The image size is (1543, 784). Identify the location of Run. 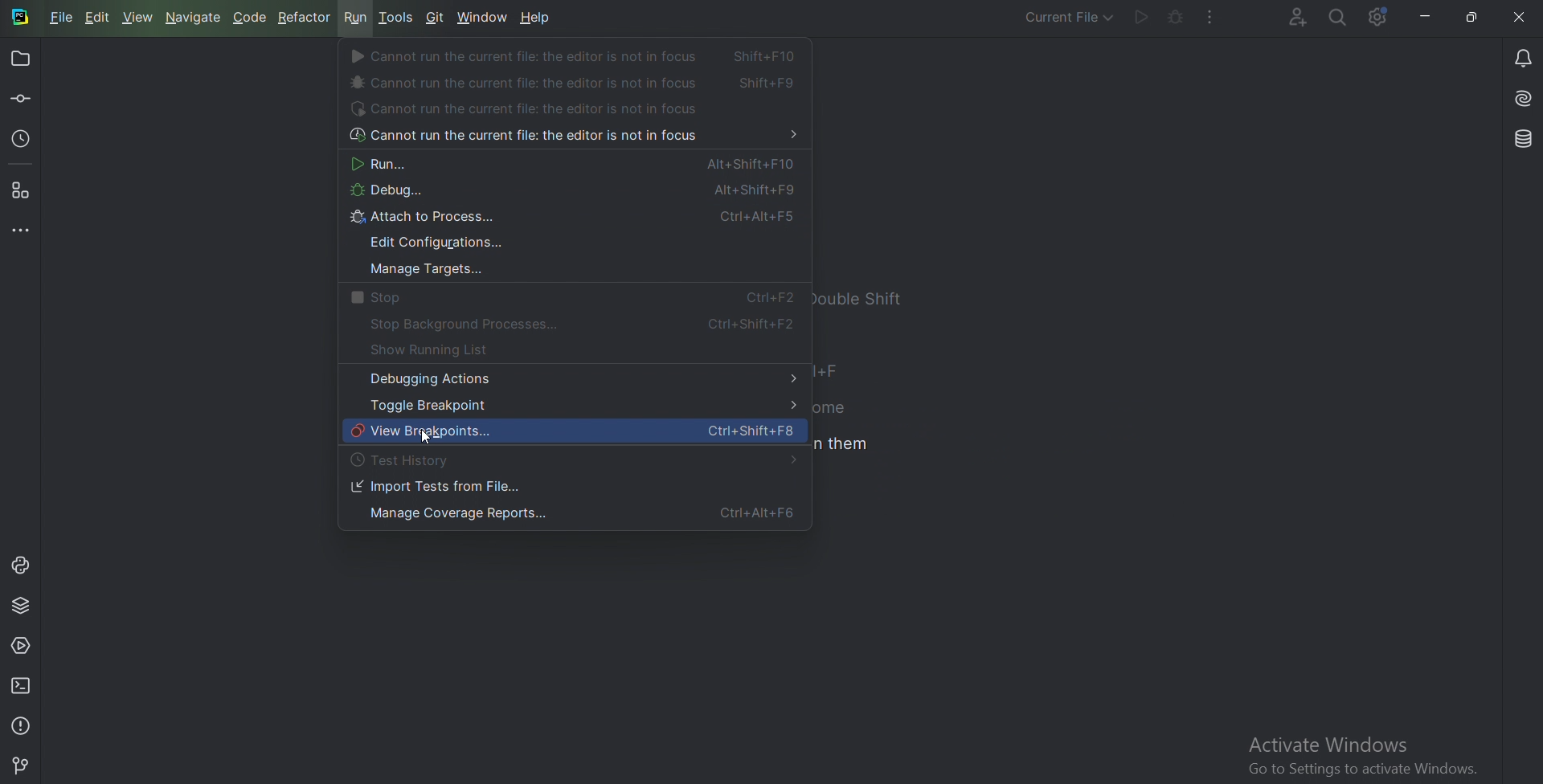
(1140, 18).